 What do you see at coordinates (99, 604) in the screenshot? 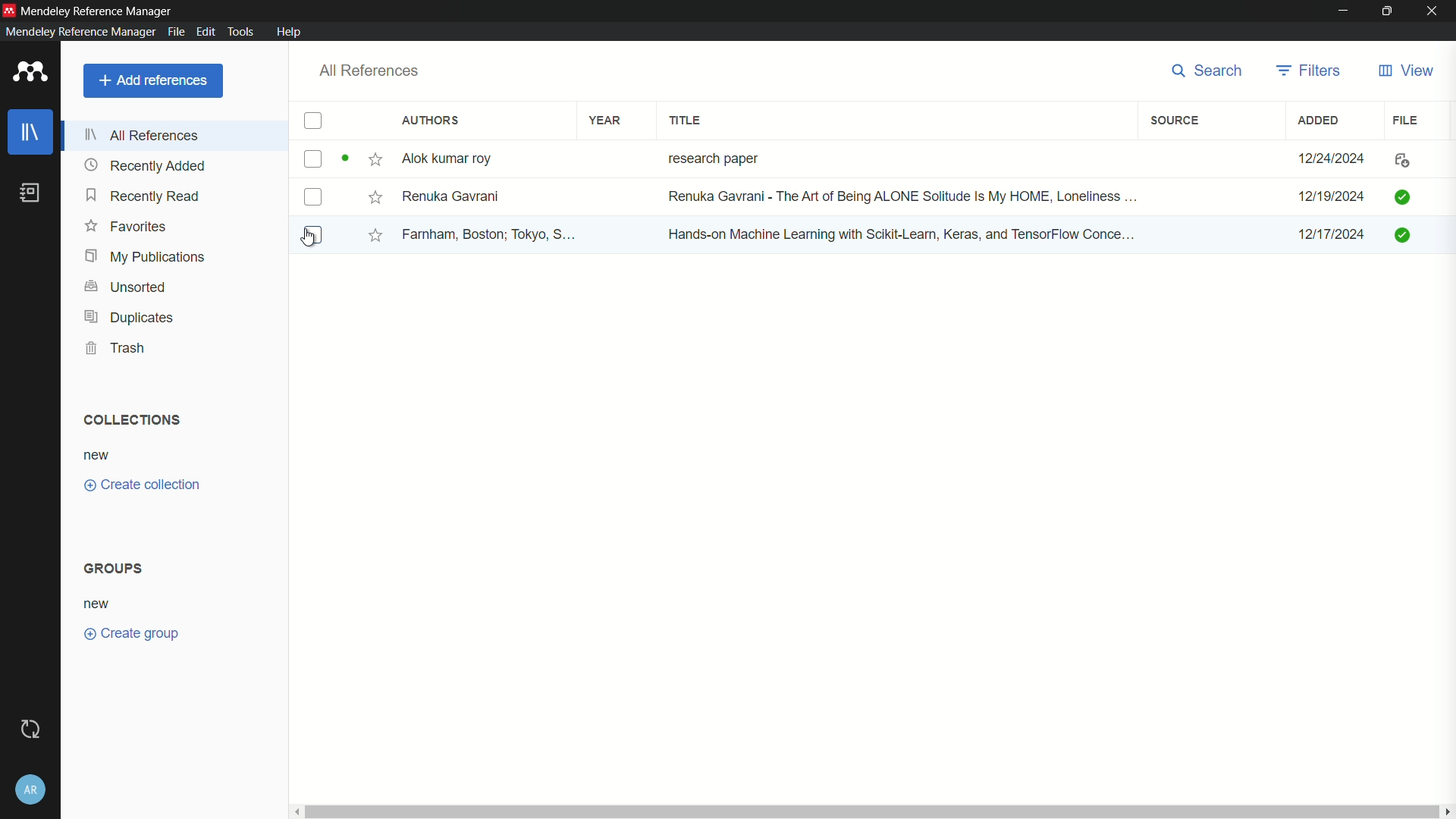
I see `new` at bounding box center [99, 604].